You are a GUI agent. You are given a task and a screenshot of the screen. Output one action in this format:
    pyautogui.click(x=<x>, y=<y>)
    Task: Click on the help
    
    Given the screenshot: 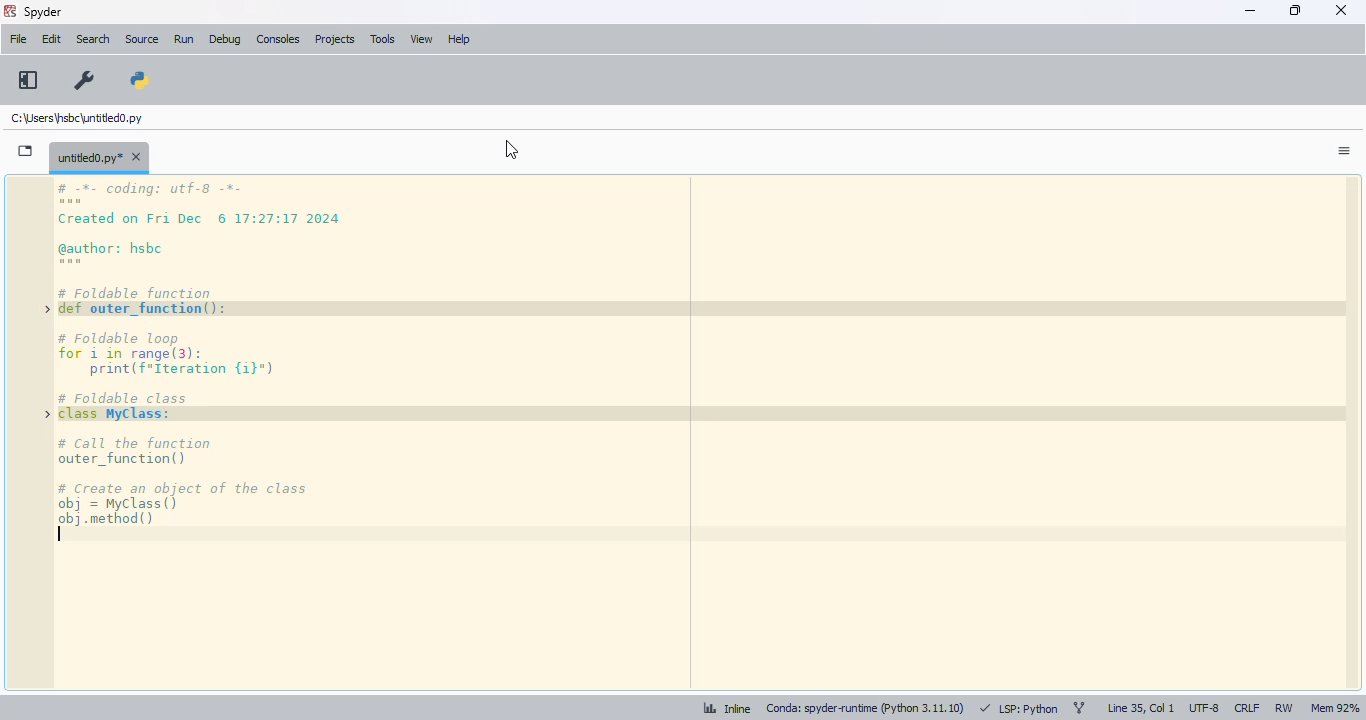 What is the action you would take?
    pyautogui.click(x=459, y=39)
    